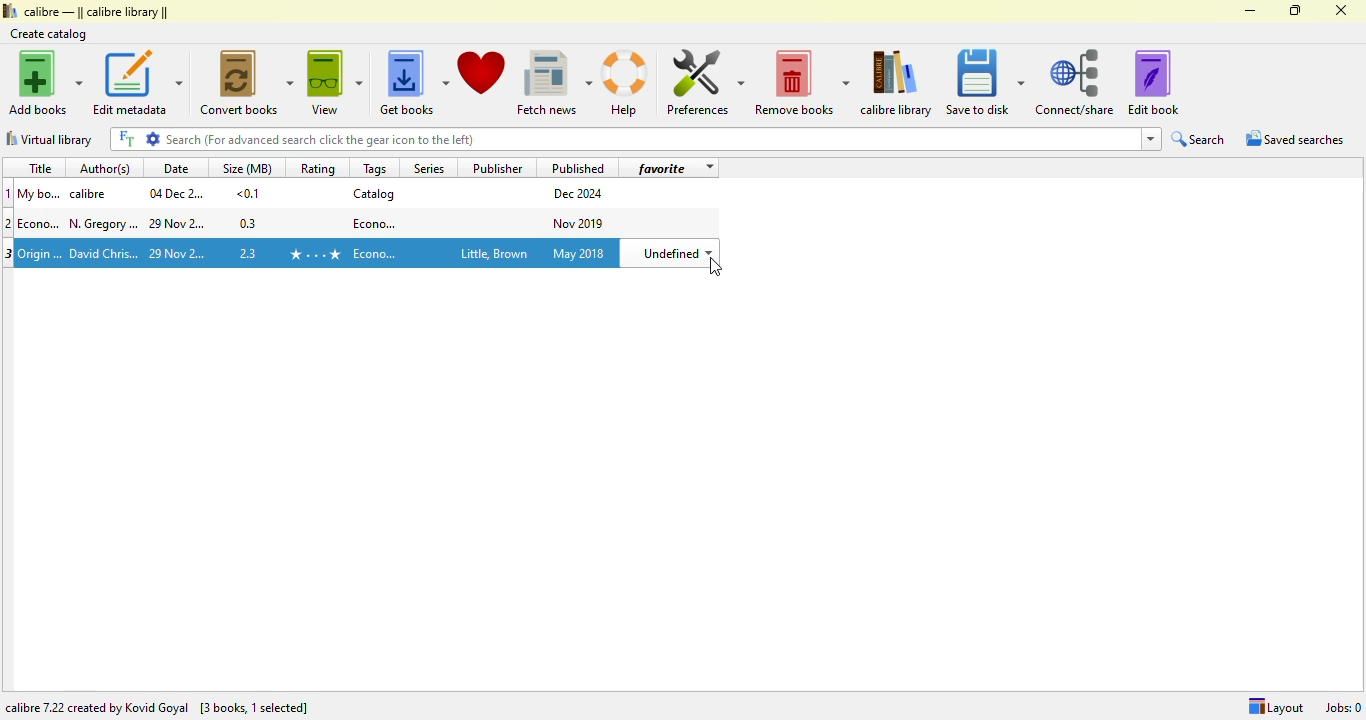 Image resolution: width=1366 pixels, height=720 pixels. What do you see at coordinates (492, 255) in the screenshot?
I see `publisher` at bounding box center [492, 255].